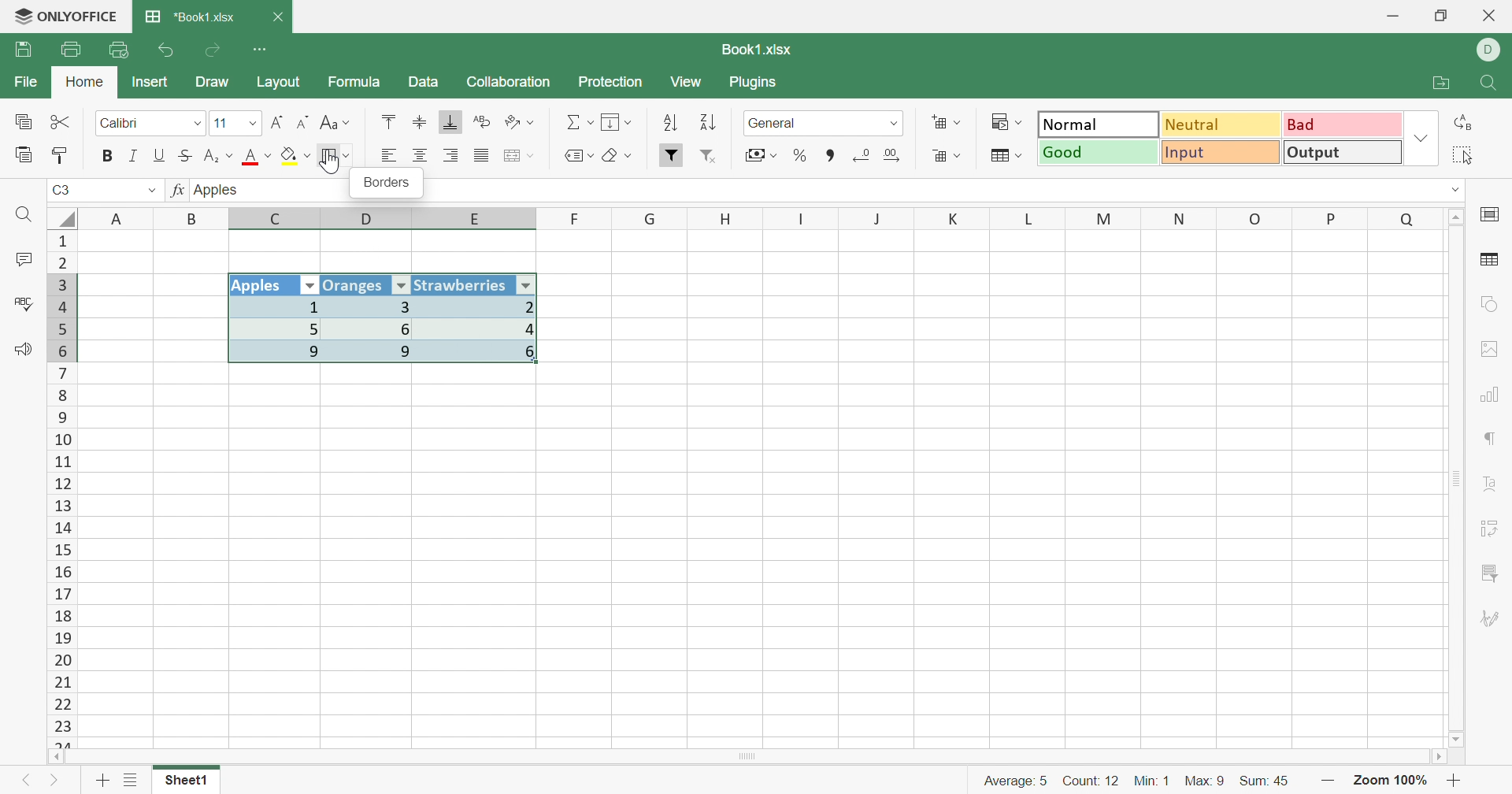  What do you see at coordinates (385, 184) in the screenshot?
I see `Borders` at bounding box center [385, 184].